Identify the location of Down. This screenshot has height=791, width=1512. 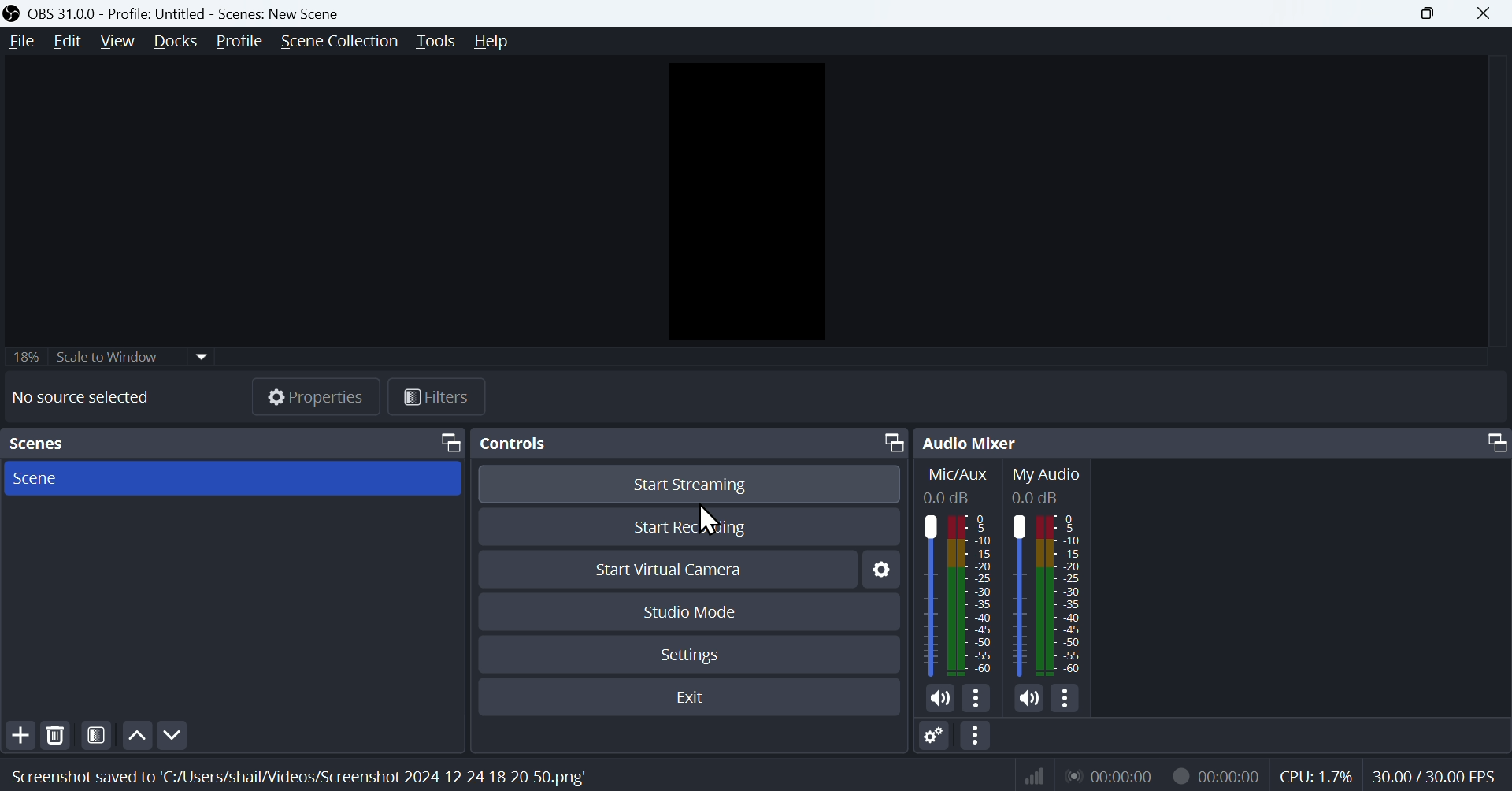
(171, 733).